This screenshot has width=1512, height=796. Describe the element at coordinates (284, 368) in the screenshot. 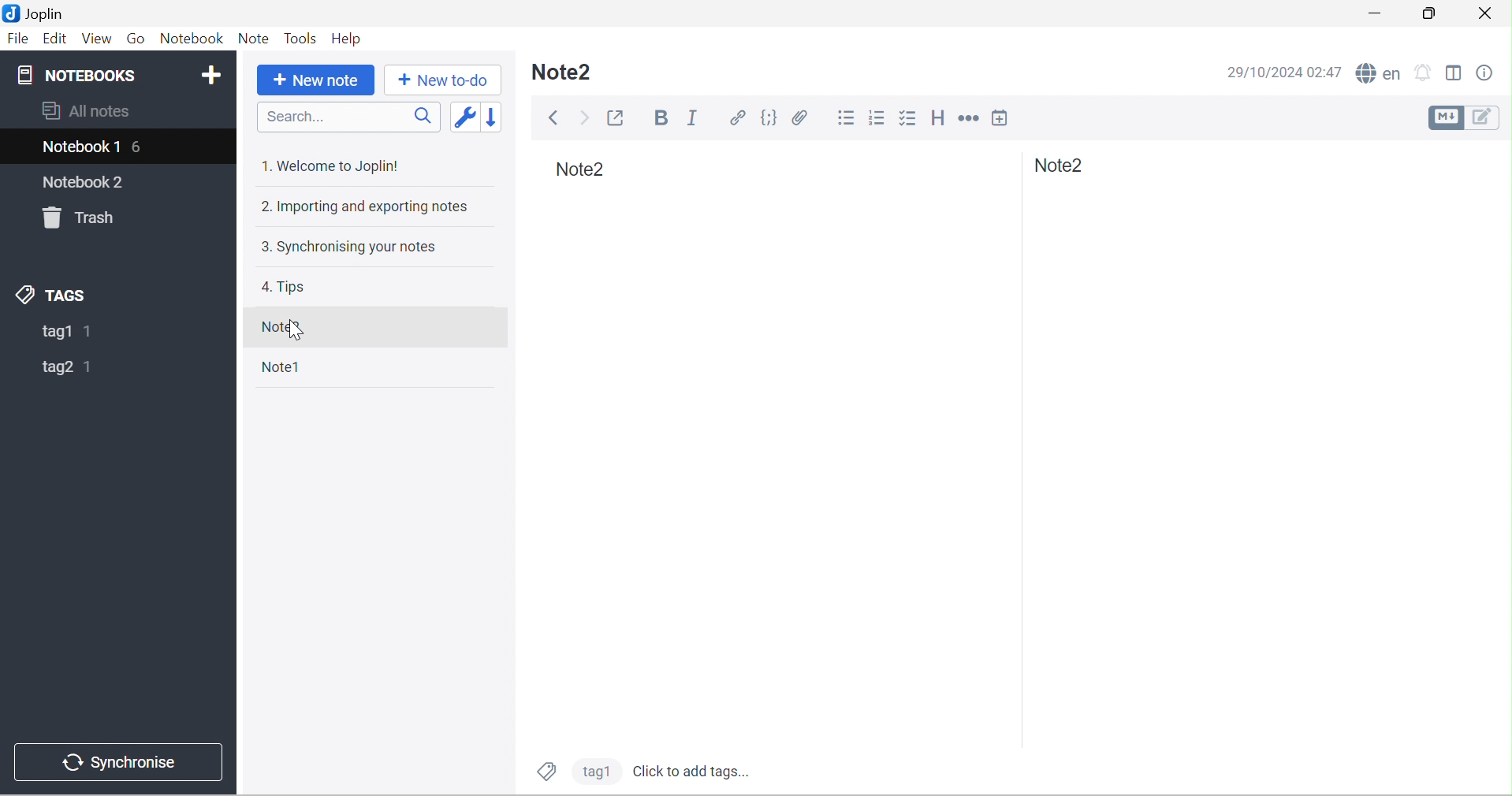

I see `Note1` at that location.